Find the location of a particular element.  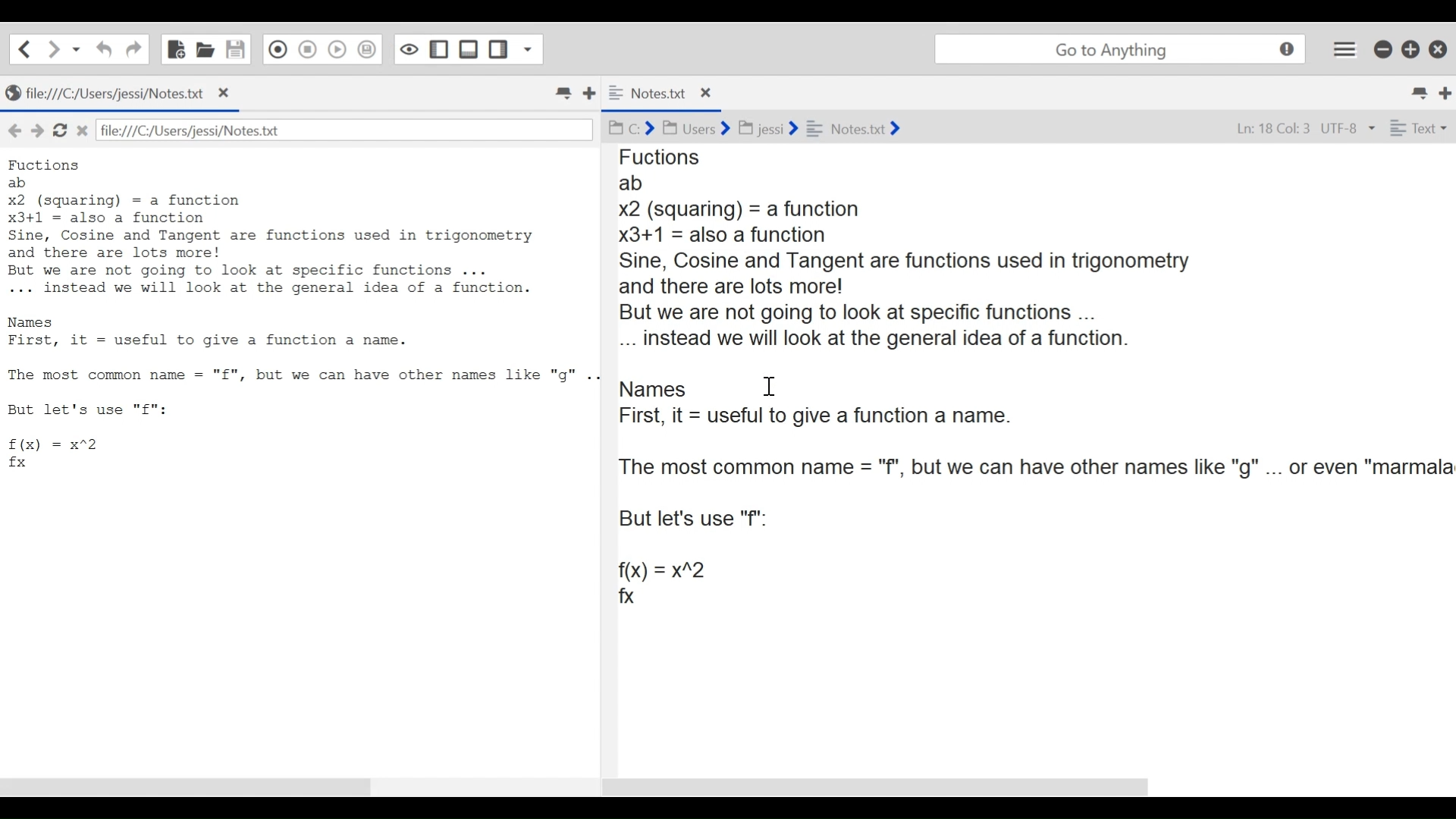

 Notes.txt is located at coordinates (858, 127).